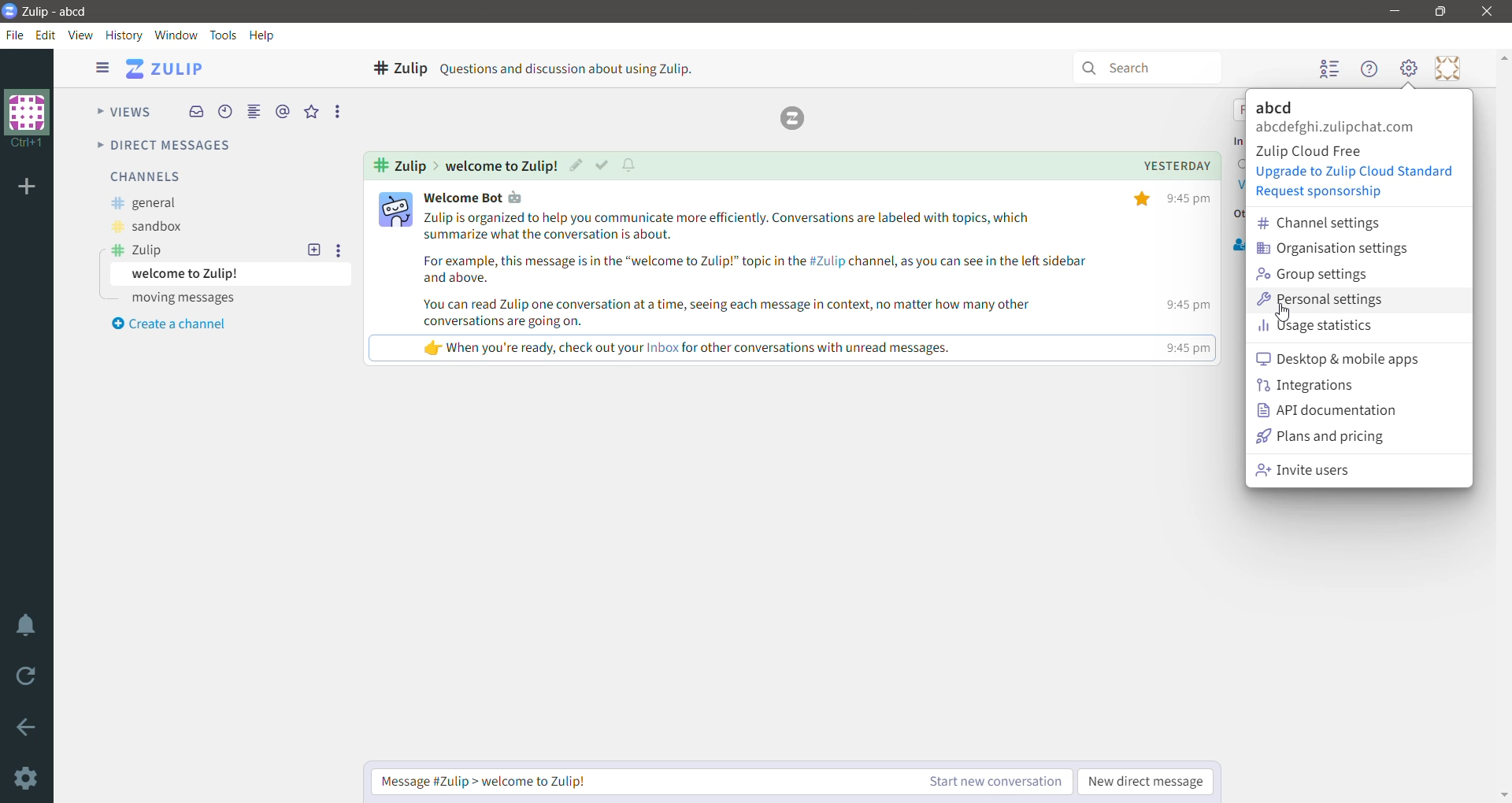 The height and width of the screenshot is (803, 1512). I want to click on Direct messages, so click(161, 146).